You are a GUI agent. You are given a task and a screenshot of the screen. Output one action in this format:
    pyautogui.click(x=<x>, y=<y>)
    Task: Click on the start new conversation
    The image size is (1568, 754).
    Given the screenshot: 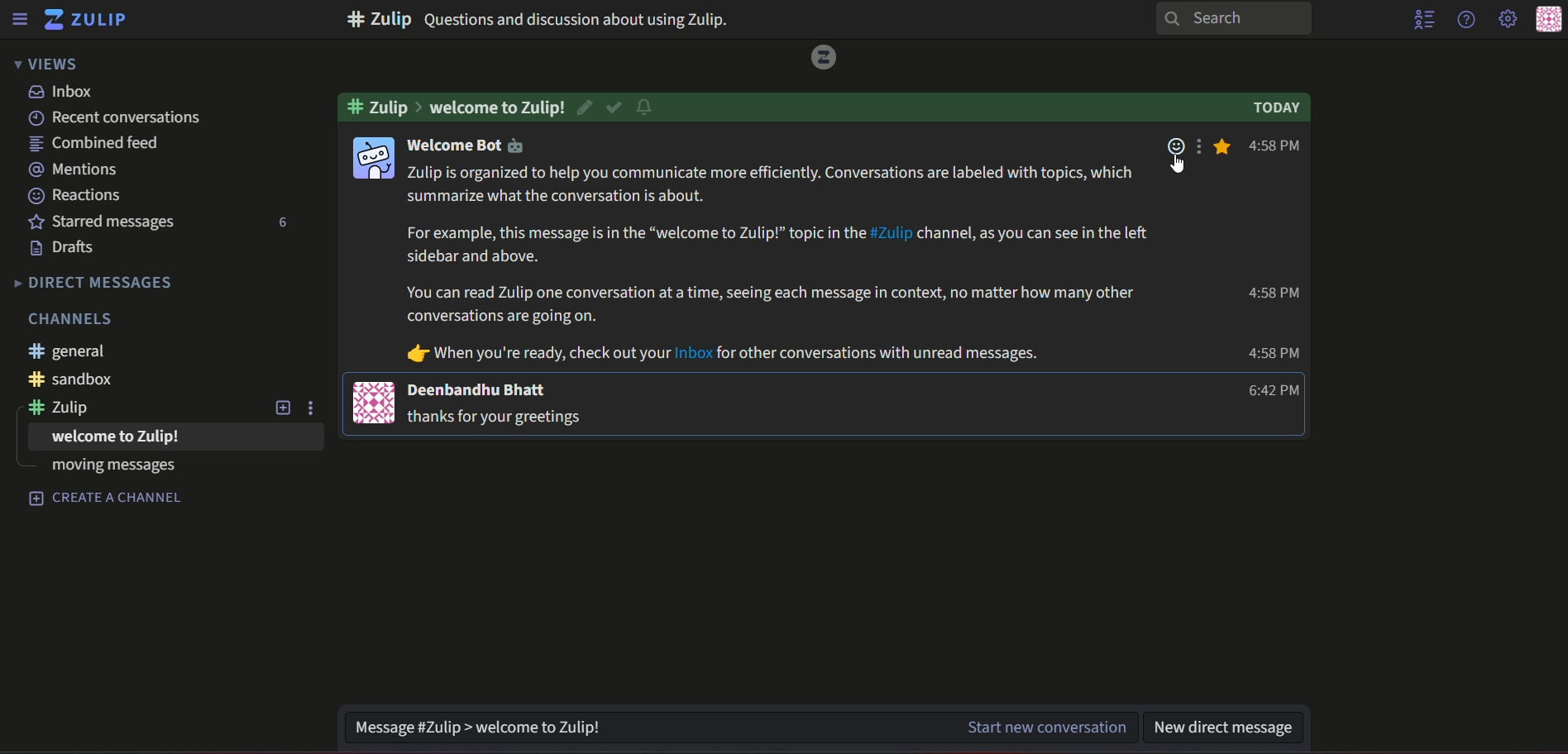 What is the action you would take?
    pyautogui.click(x=1045, y=727)
    